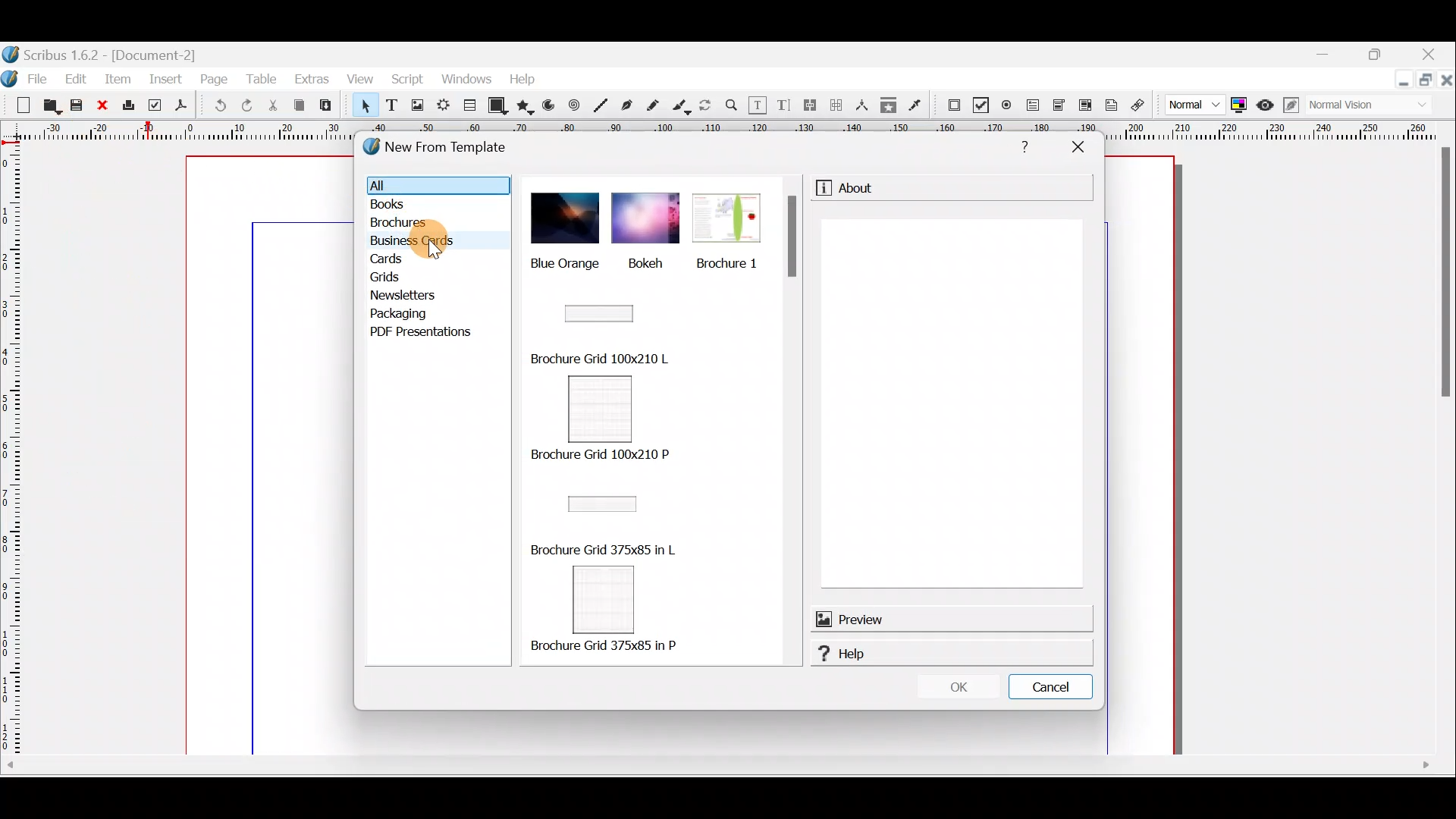 Image resolution: width=1456 pixels, height=819 pixels. I want to click on | | Brochure Grid 375x85 in L, so click(604, 550).